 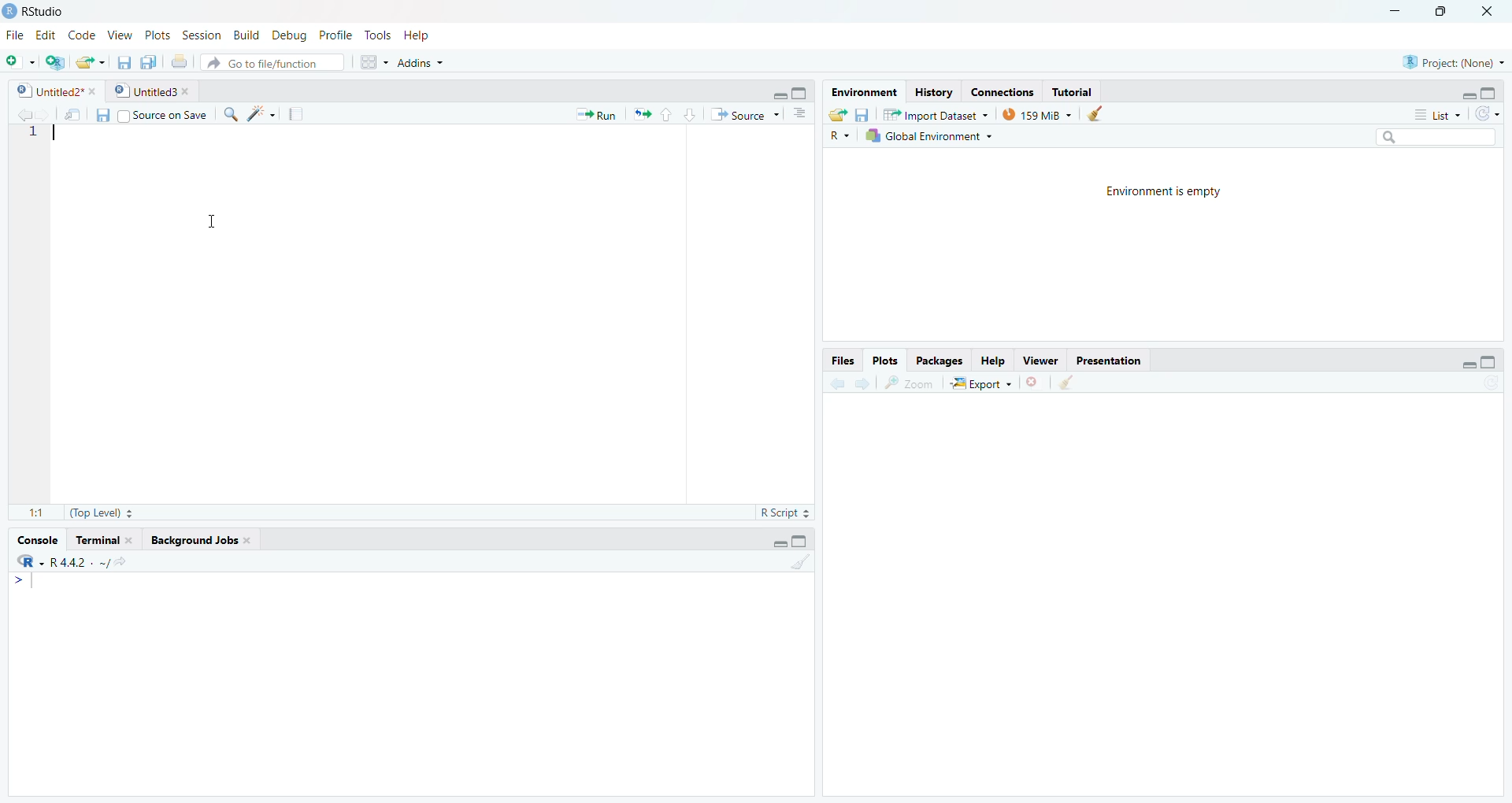 What do you see at coordinates (1492, 93) in the screenshot?
I see `Maximize` at bounding box center [1492, 93].